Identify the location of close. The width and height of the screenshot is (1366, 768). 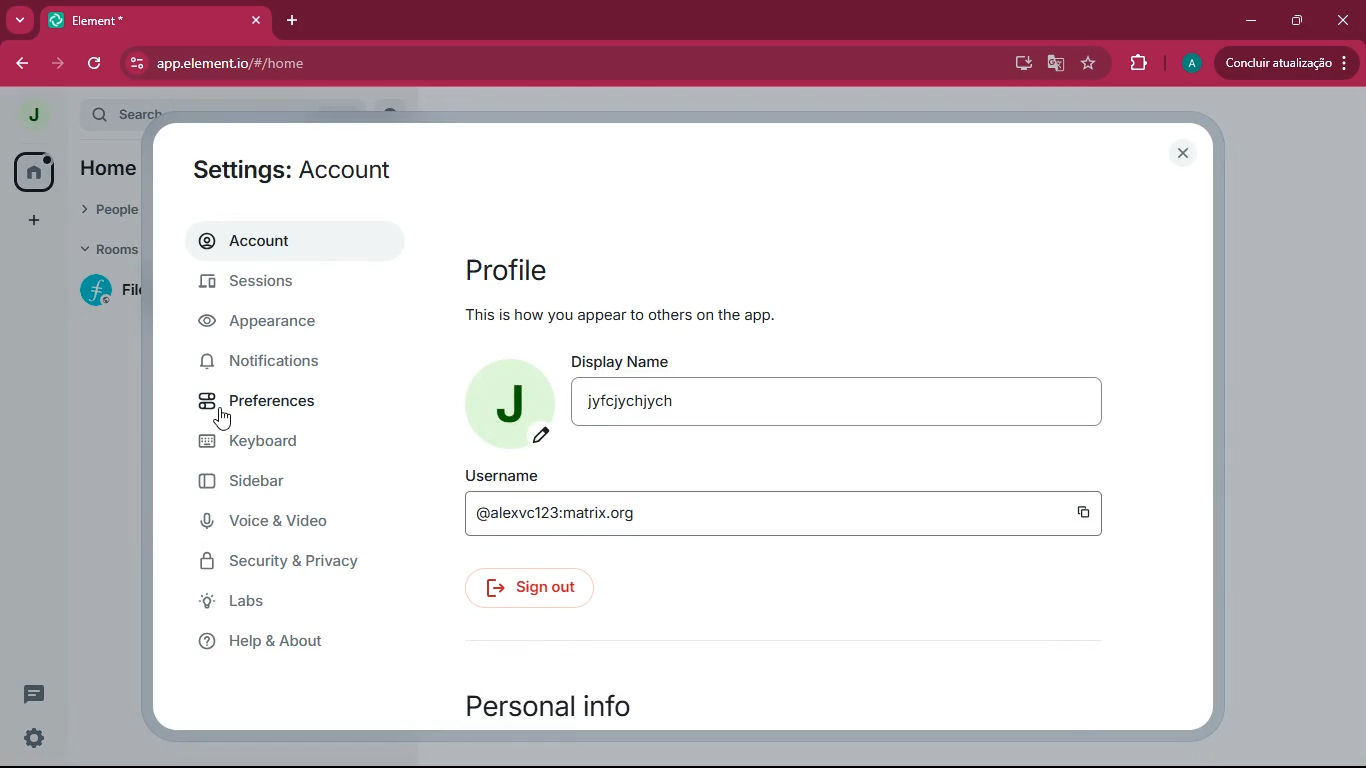
(1185, 153).